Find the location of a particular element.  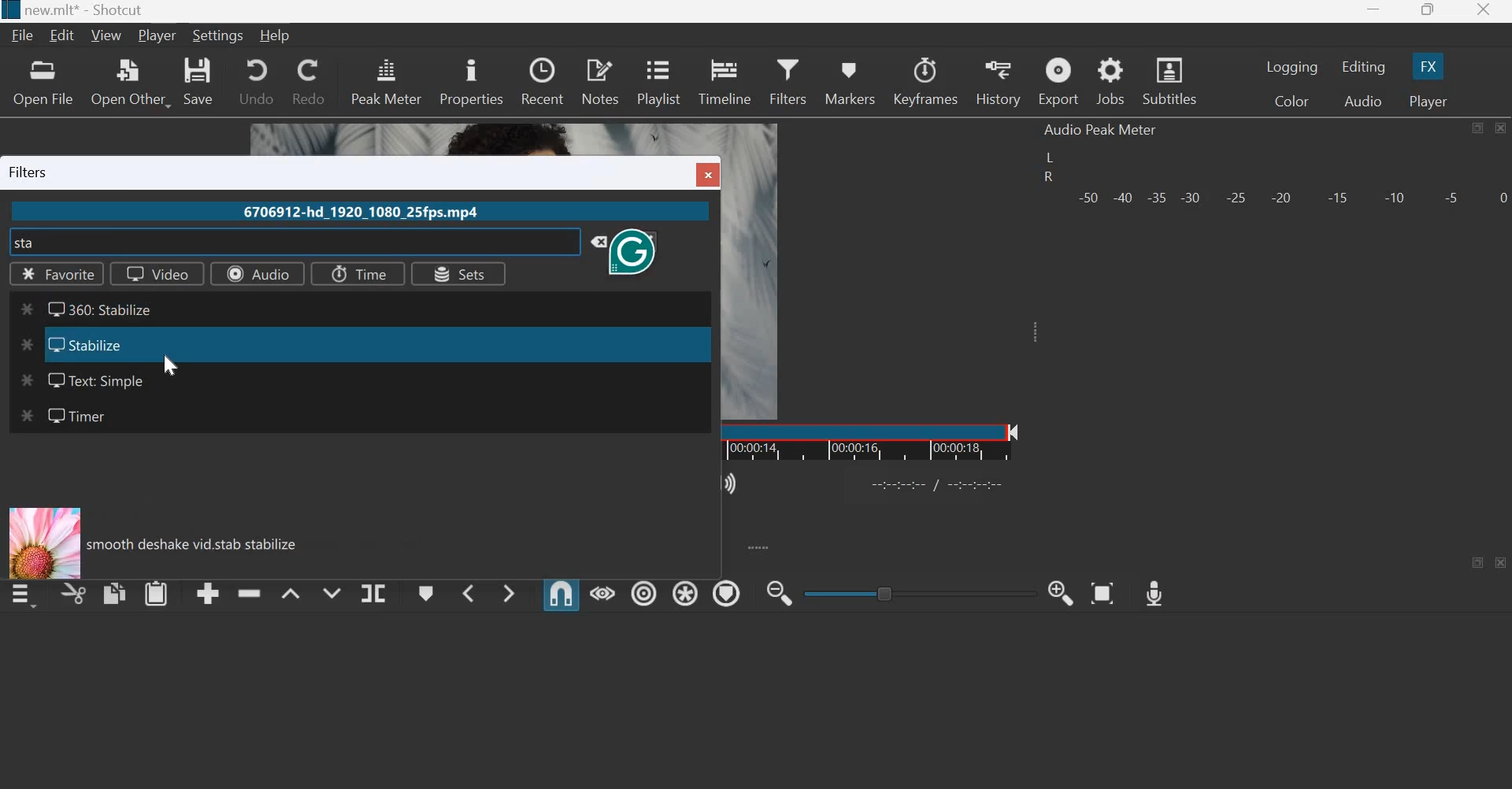

Settings is located at coordinates (220, 35).